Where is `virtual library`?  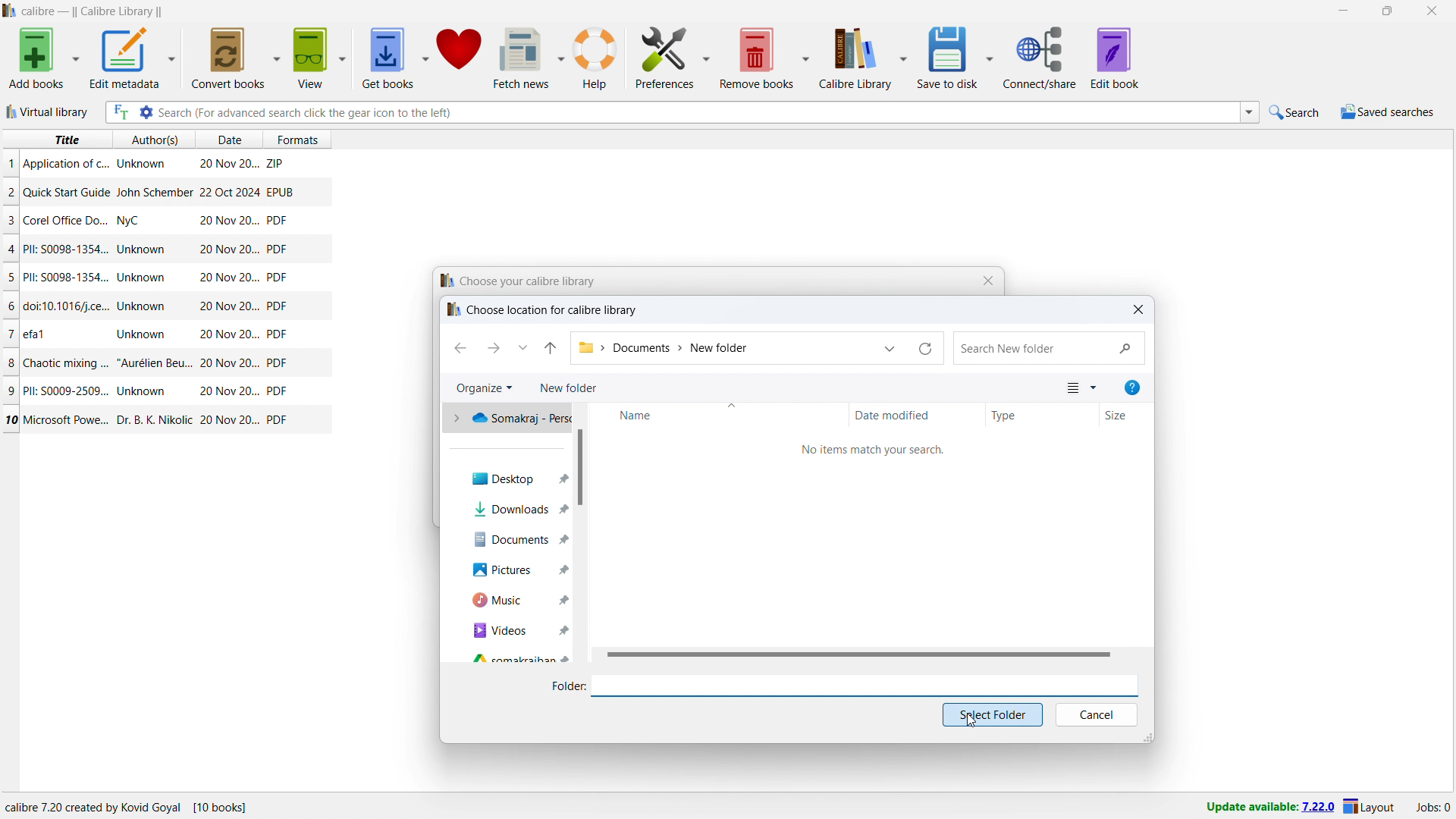
virtual library is located at coordinates (49, 111).